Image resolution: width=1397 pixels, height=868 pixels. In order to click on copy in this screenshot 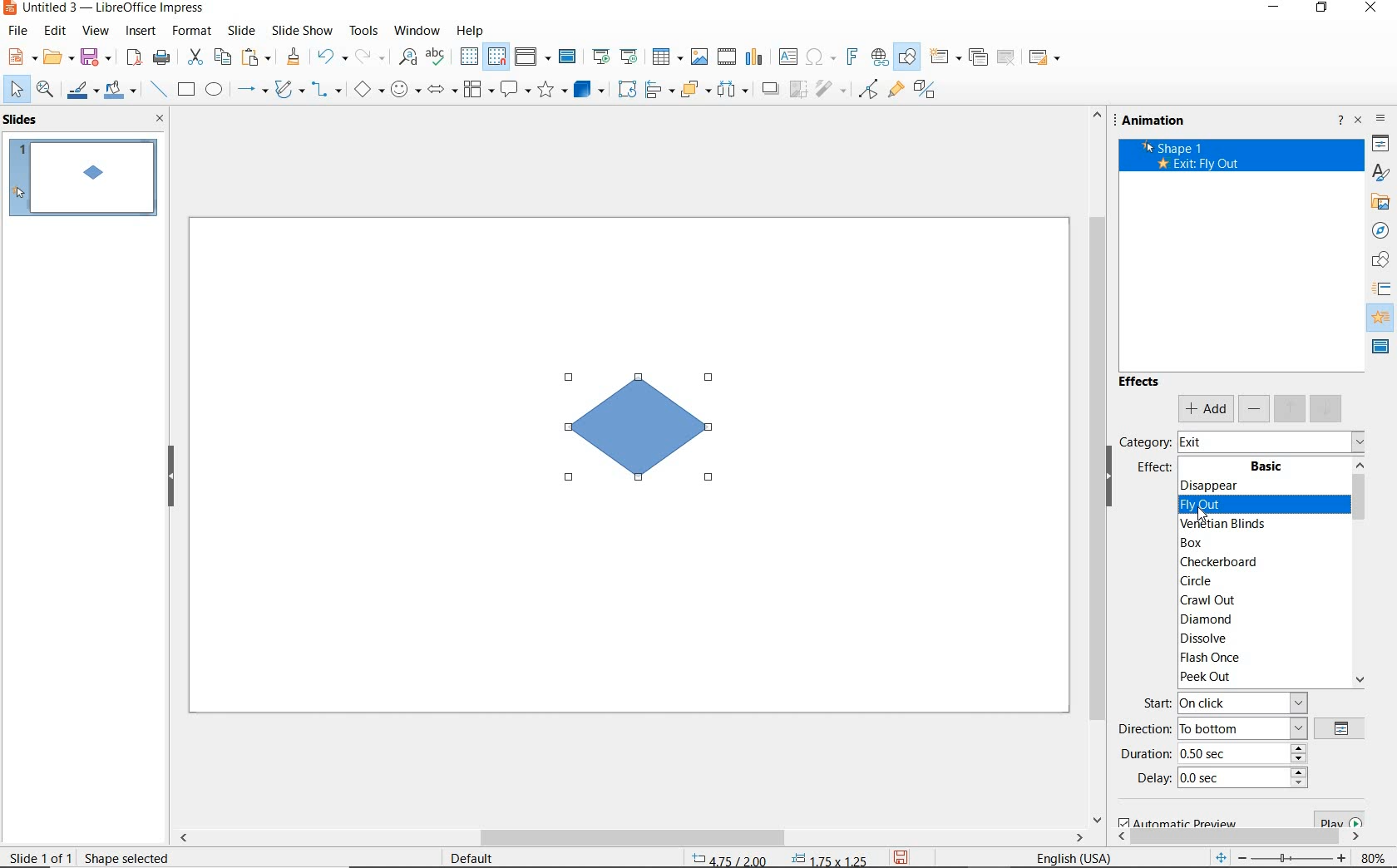, I will do `click(222, 58)`.